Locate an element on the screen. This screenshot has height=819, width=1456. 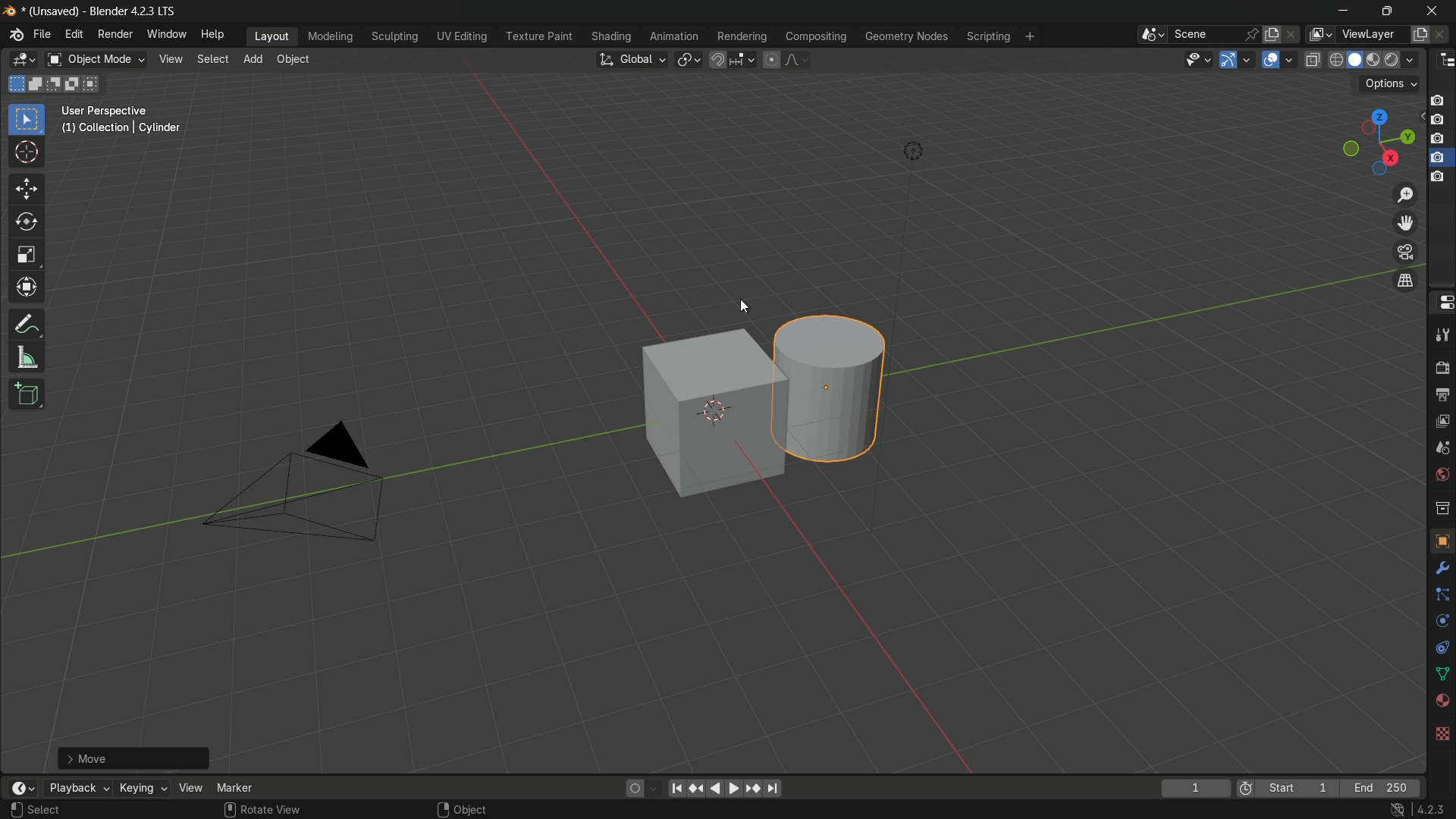
free tool is located at coordinates (1439, 645).